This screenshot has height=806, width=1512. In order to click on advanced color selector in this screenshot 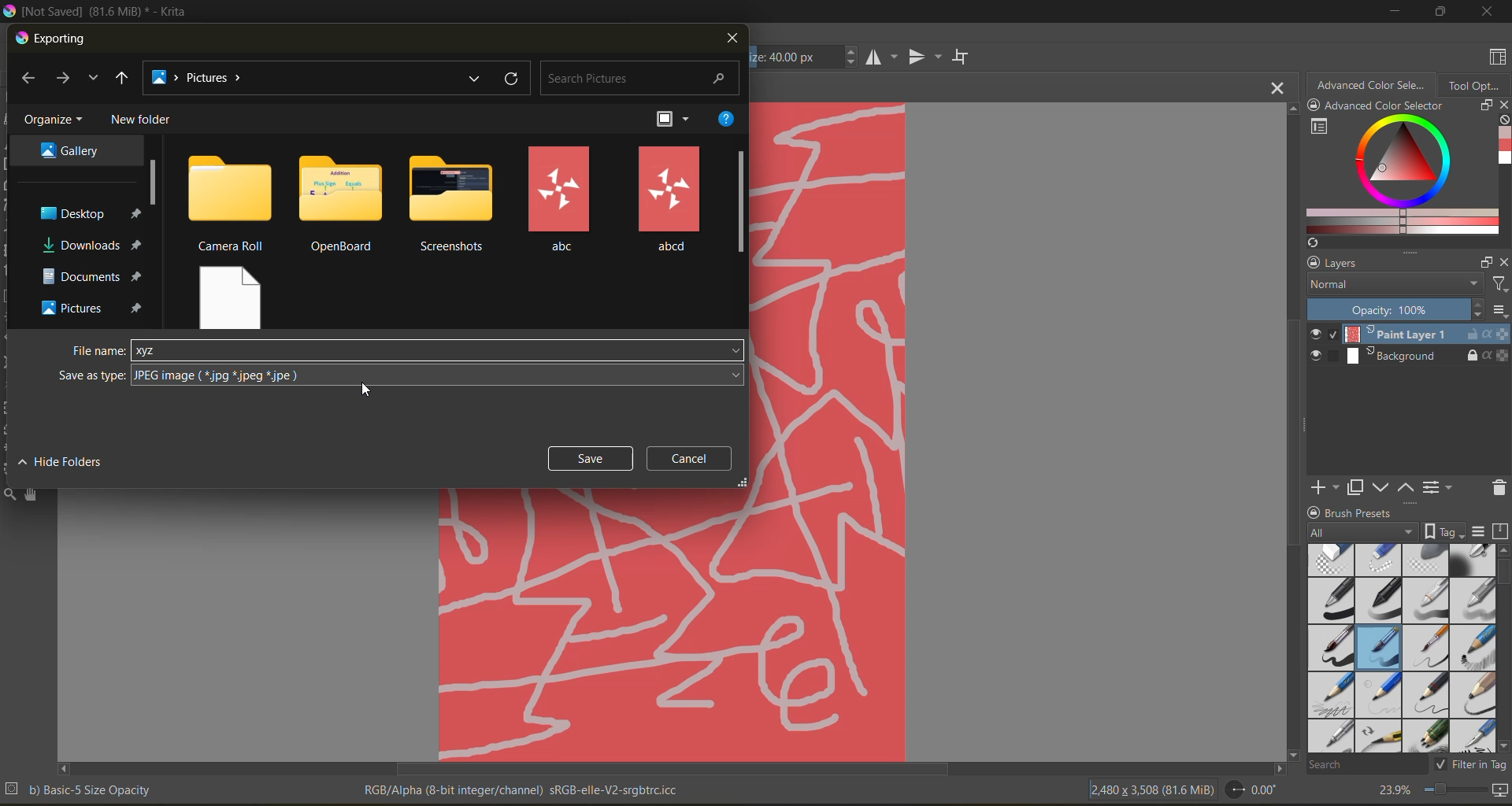, I will do `click(1371, 83)`.